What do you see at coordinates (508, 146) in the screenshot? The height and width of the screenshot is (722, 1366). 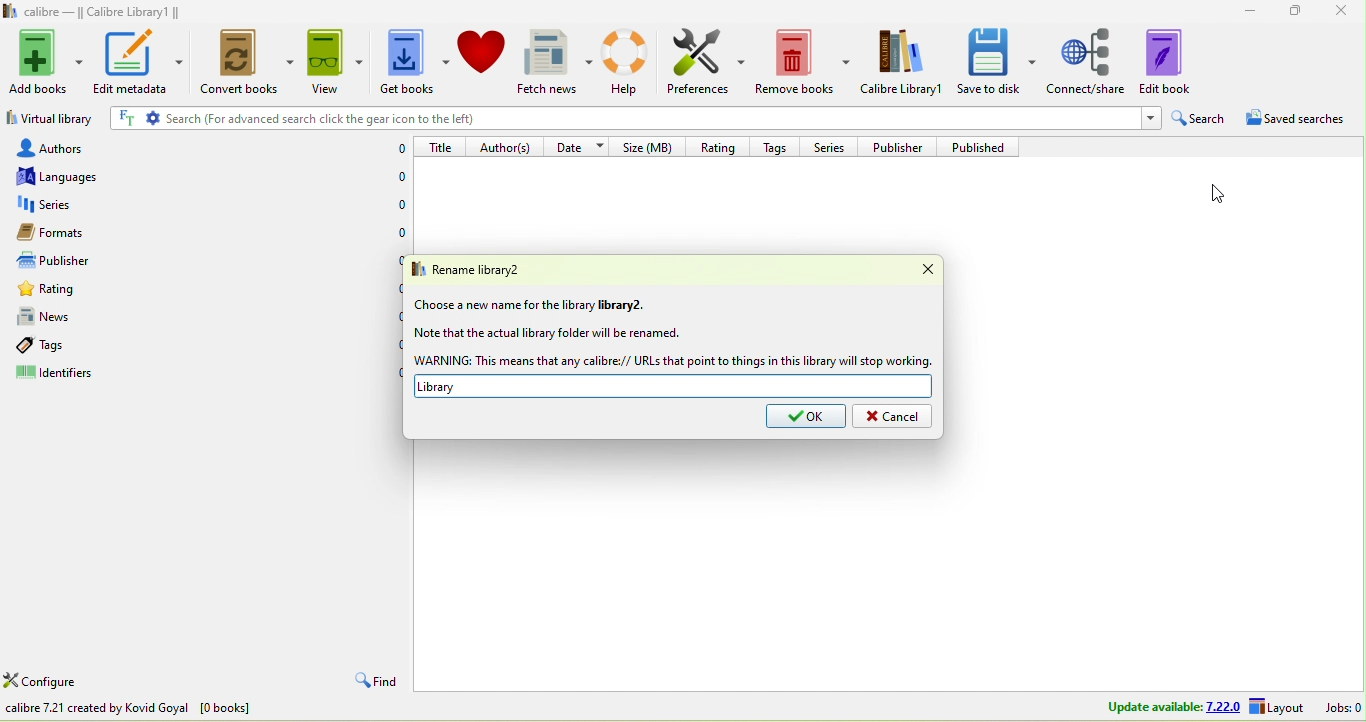 I see `author(s)` at bounding box center [508, 146].